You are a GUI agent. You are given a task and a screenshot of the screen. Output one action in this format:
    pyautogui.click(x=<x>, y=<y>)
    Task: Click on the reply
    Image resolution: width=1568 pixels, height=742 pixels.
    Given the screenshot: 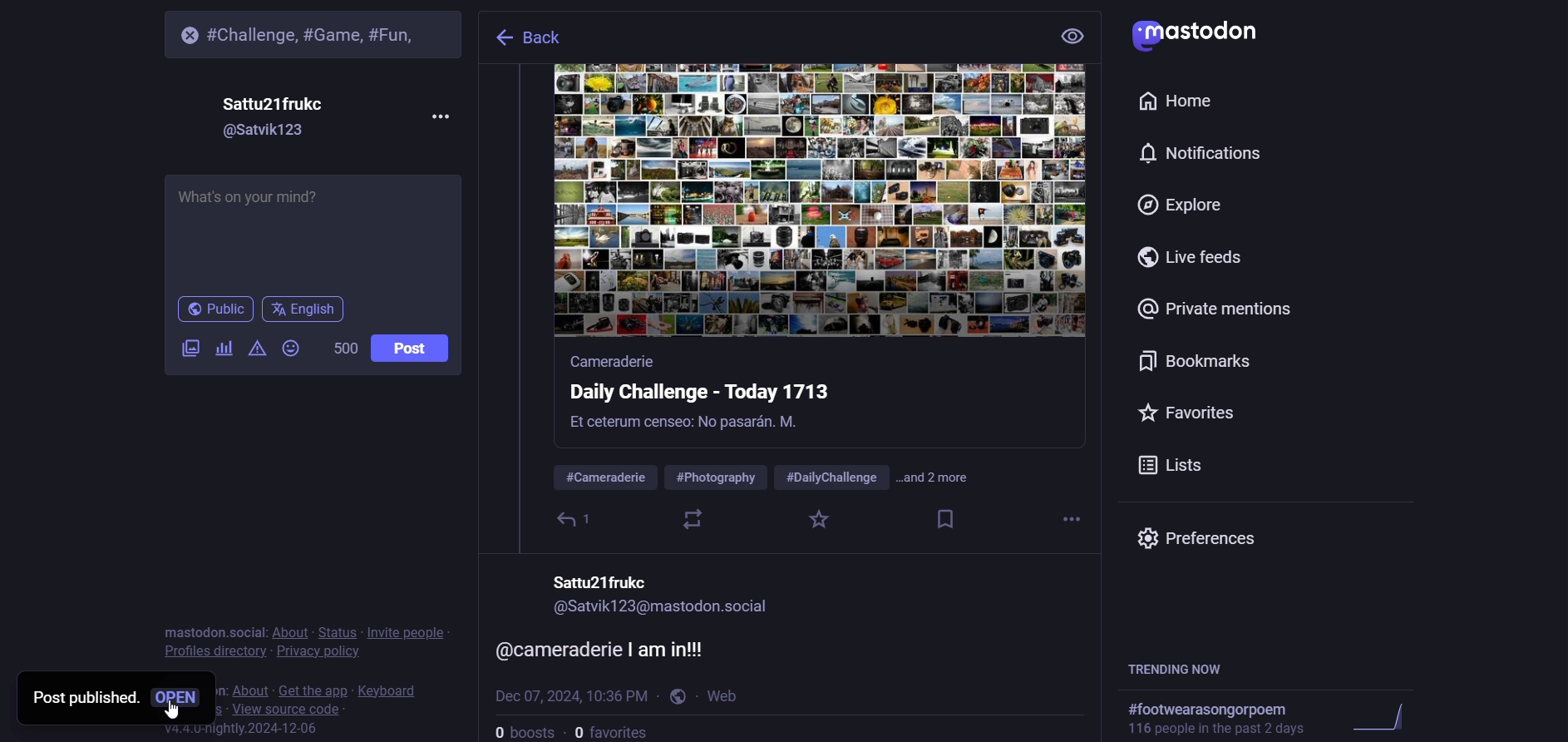 What is the action you would take?
    pyautogui.click(x=576, y=518)
    